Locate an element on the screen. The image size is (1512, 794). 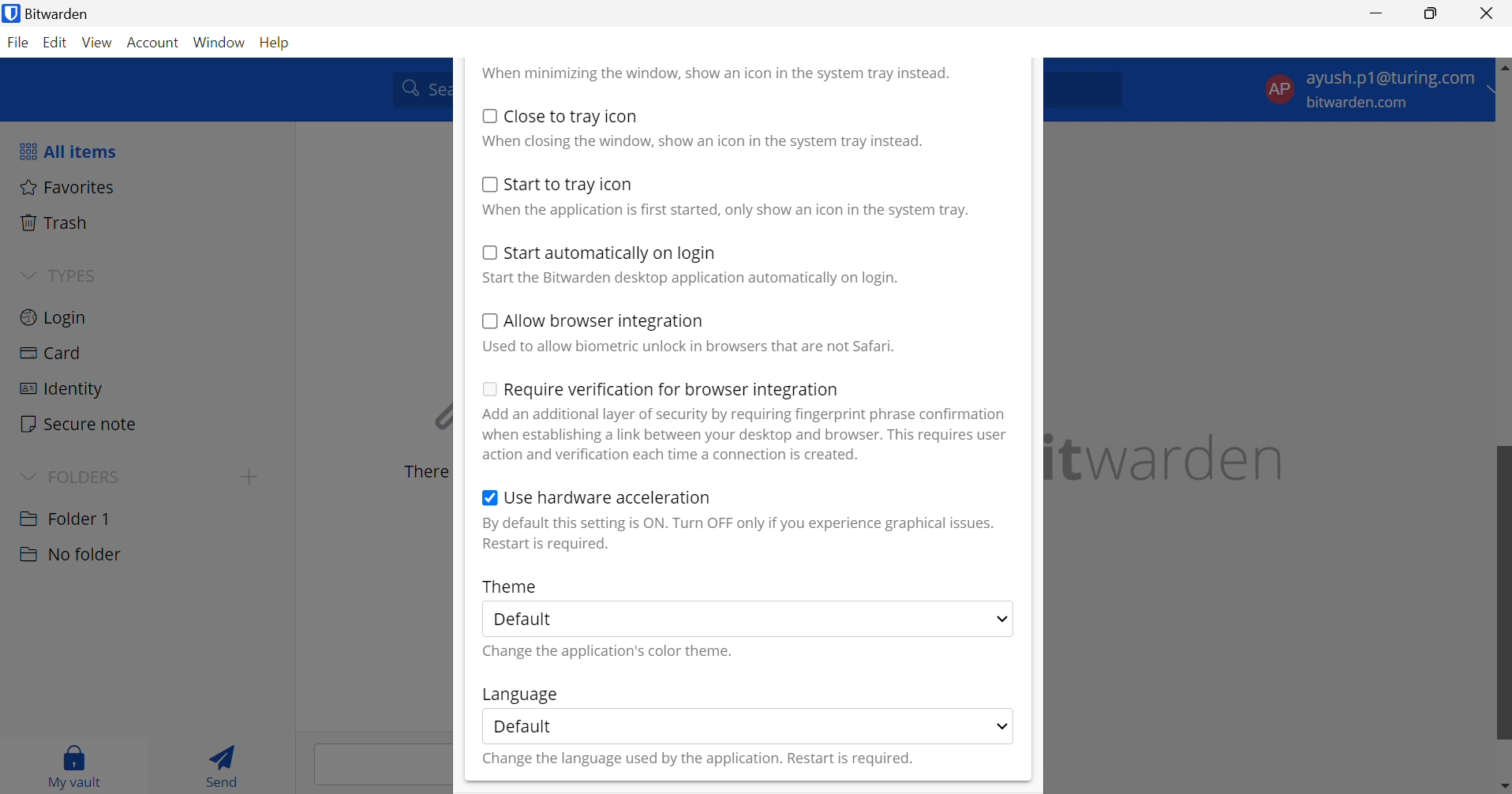
Checkbox is located at coordinates (489, 115).